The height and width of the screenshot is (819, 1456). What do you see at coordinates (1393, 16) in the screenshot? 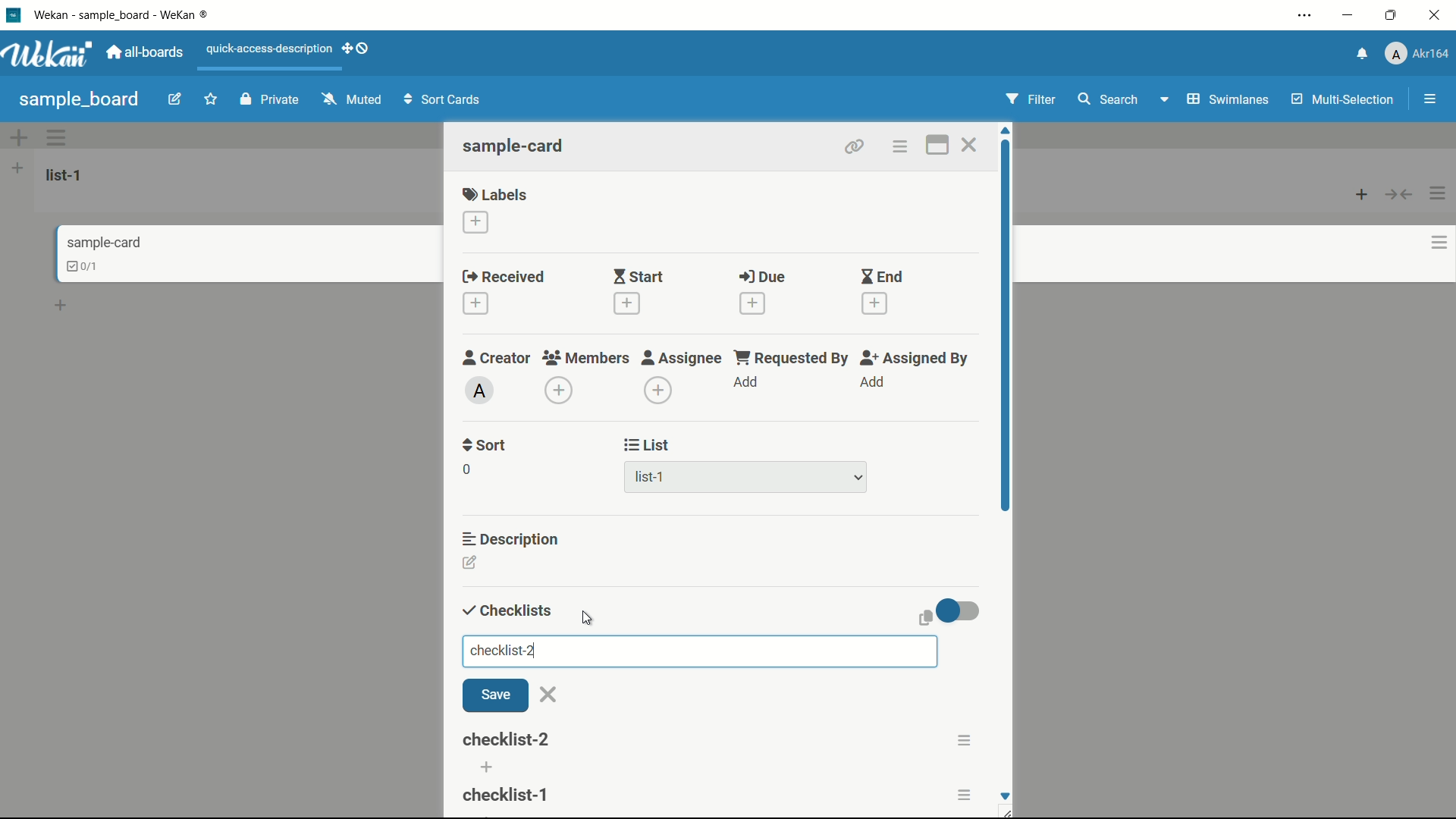
I see `maximize` at bounding box center [1393, 16].